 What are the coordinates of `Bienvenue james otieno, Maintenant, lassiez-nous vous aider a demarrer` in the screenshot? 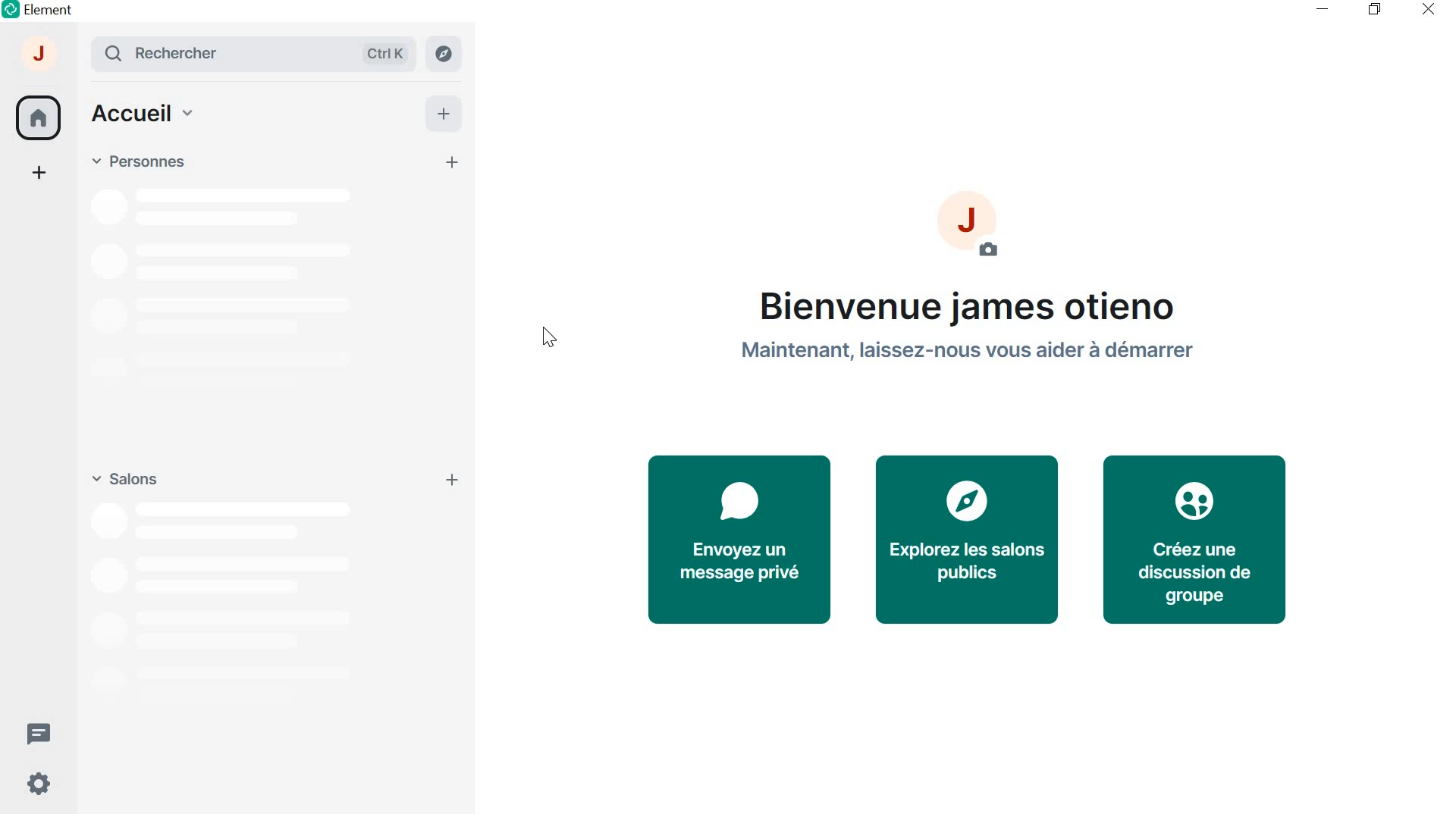 It's located at (973, 335).